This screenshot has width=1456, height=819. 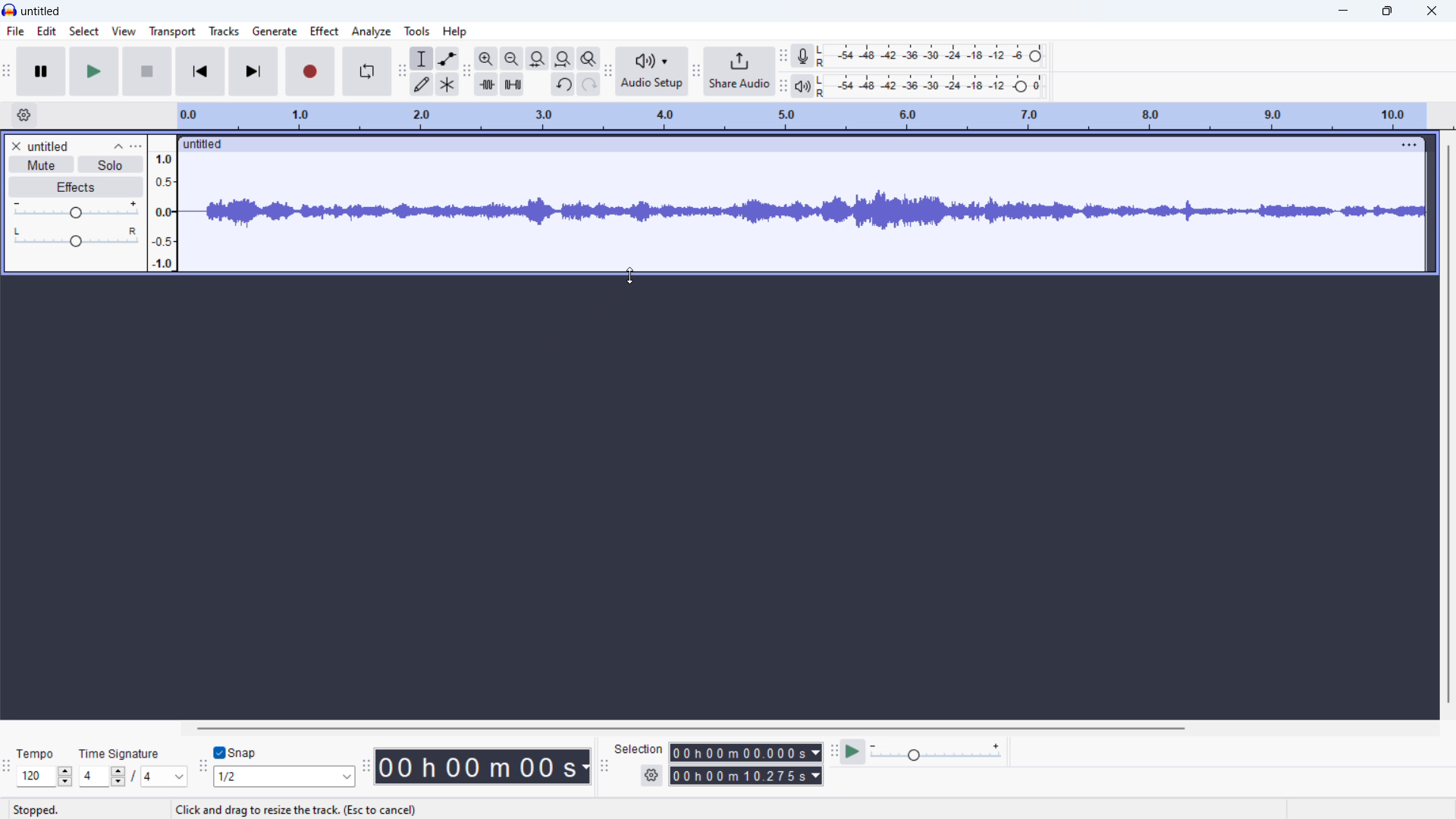 I want to click on time signature toolbar, so click(x=6, y=768).